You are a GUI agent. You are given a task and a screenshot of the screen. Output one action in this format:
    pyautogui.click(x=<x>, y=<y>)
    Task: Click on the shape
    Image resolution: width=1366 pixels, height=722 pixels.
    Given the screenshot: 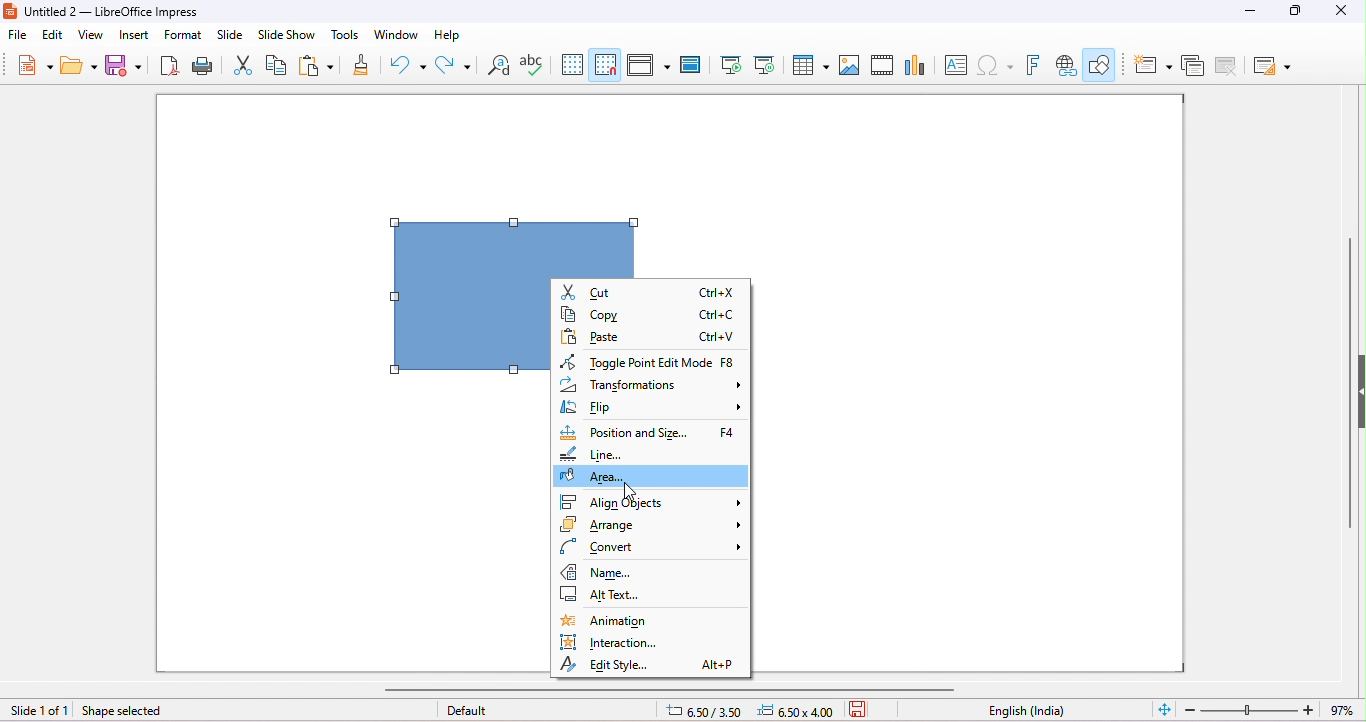 What is the action you would take?
    pyautogui.click(x=512, y=248)
    